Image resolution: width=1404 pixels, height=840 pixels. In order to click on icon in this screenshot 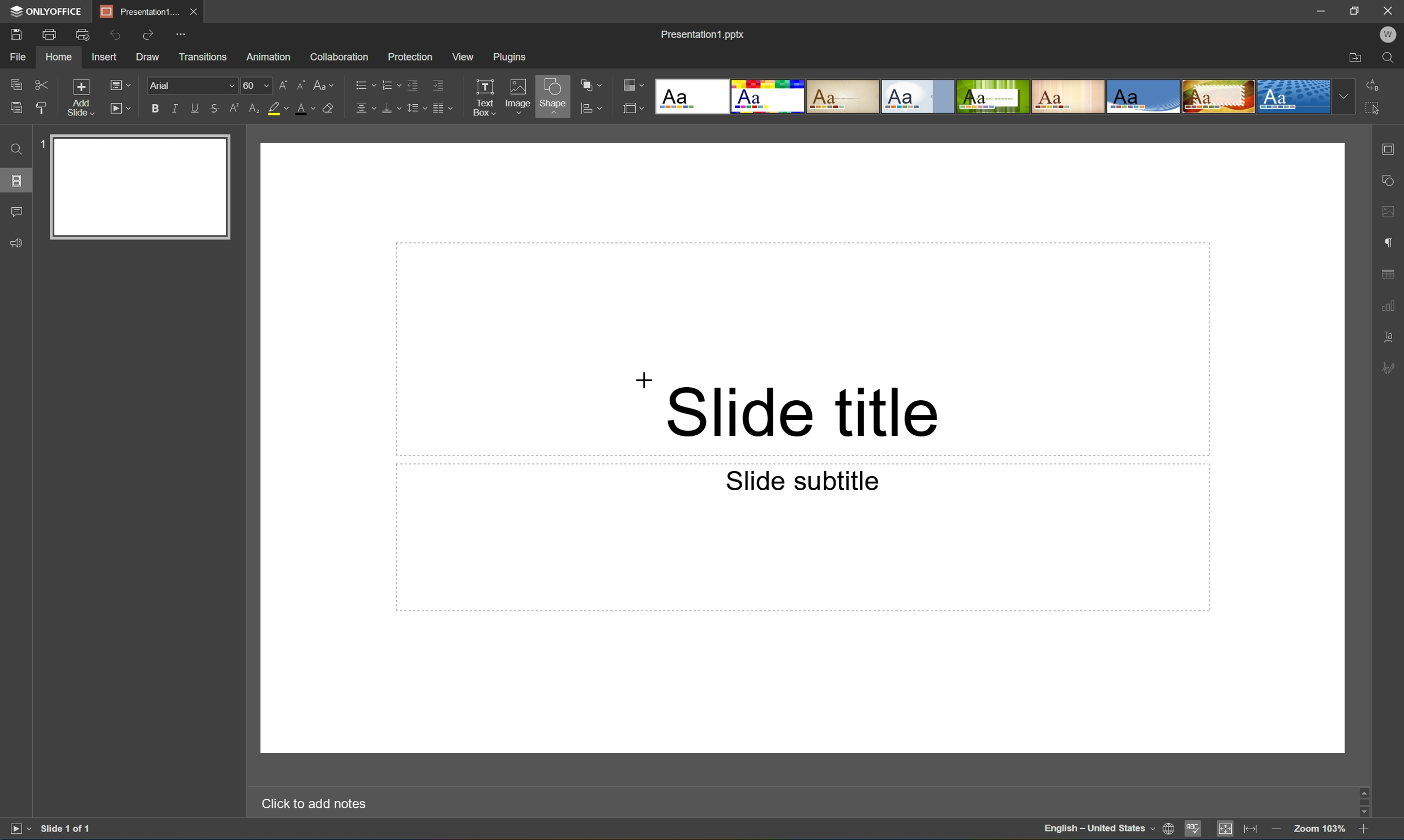, I will do `click(585, 107)`.